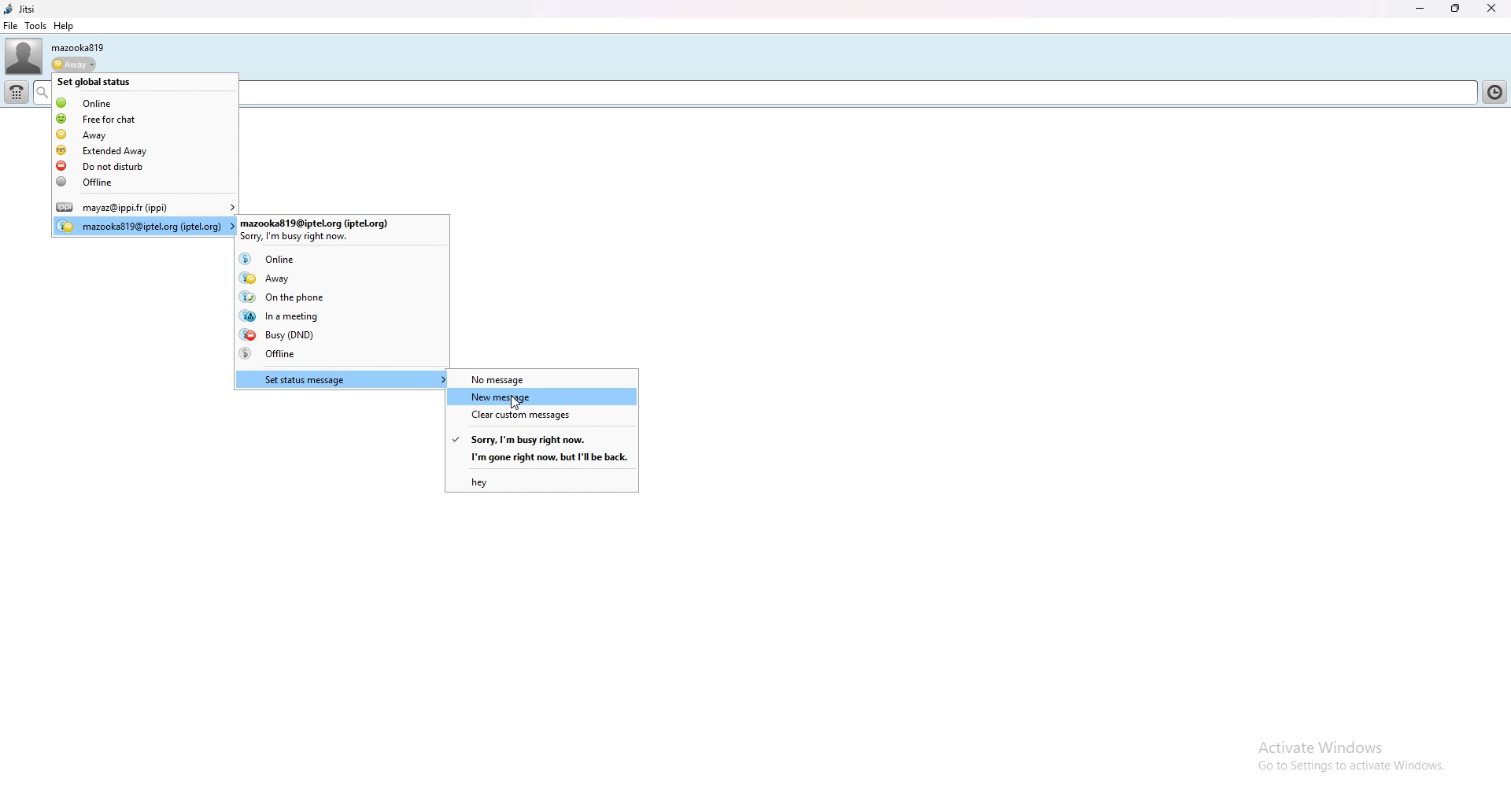 The width and height of the screenshot is (1511, 812). What do you see at coordinates (145, 208) in the screenshot?
I see `user account` at bounding box center [145, 208].